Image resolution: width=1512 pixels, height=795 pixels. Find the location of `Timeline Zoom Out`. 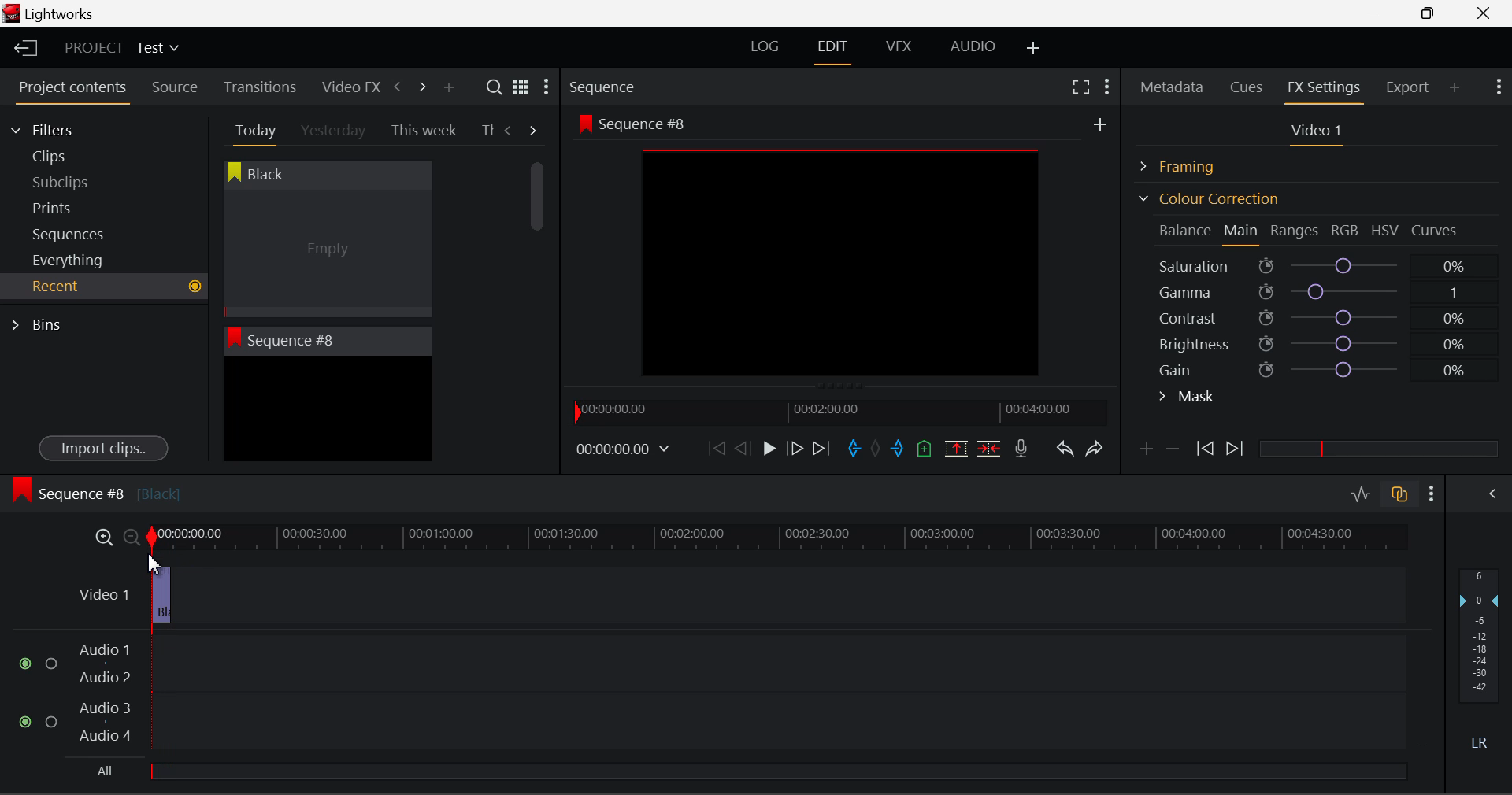

Timeline Zoom Out is located at coordinates (131, 537).